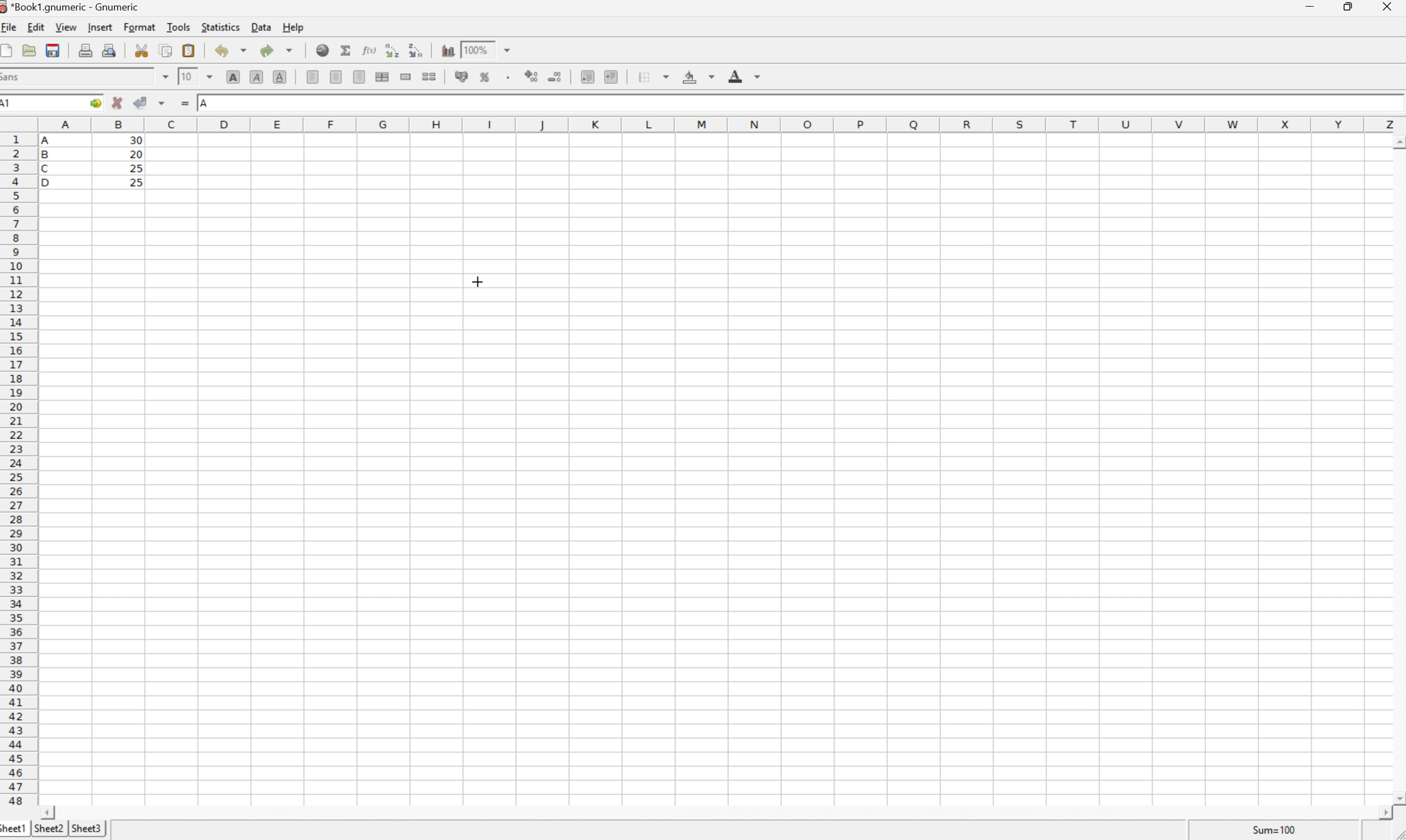  What do you see at coordinates (447, 48) in the screenshot?
I see `Insert a chart` at bounding box center [447, 48].